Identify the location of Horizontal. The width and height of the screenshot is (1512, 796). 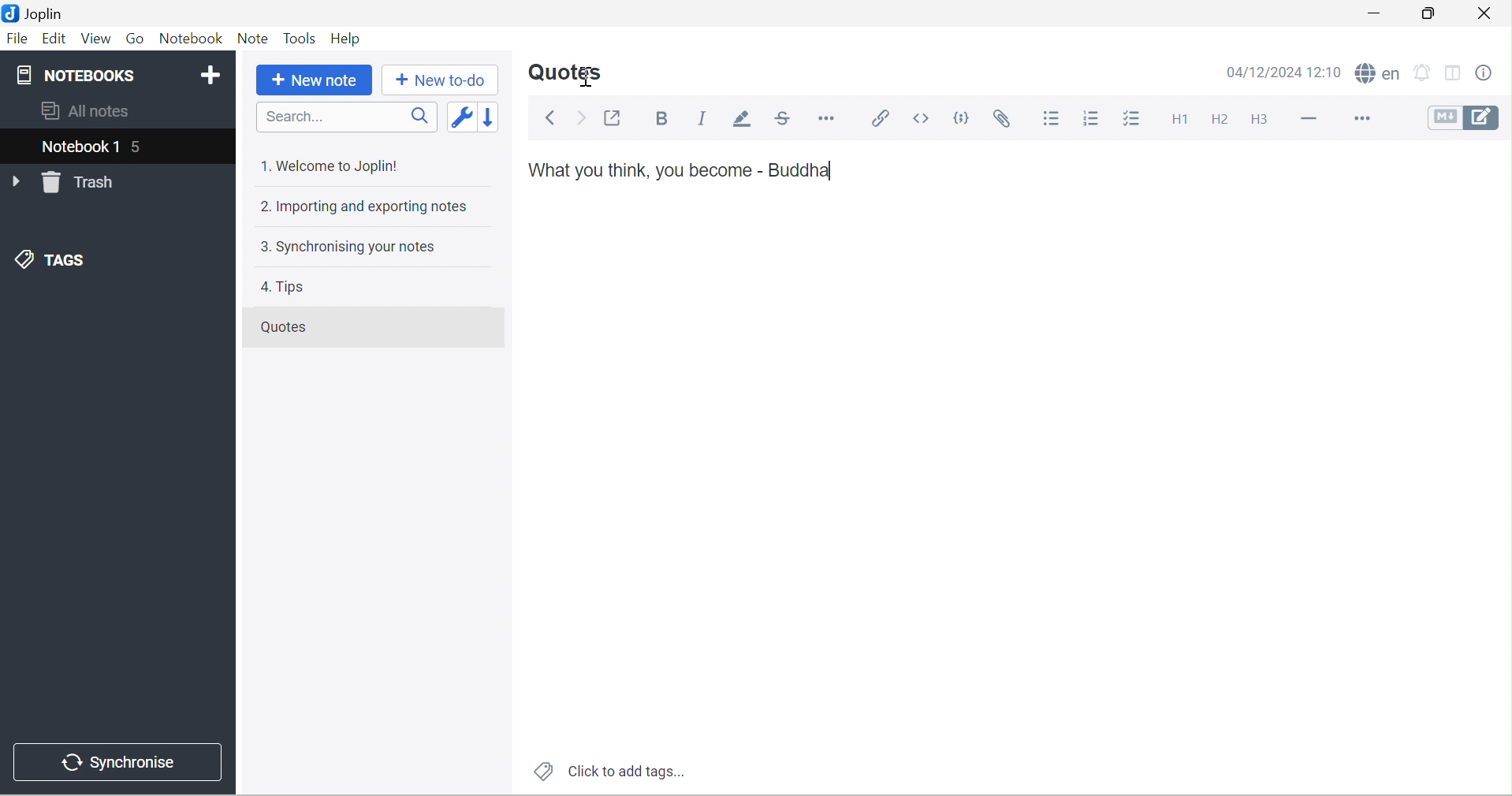
(830, 121).